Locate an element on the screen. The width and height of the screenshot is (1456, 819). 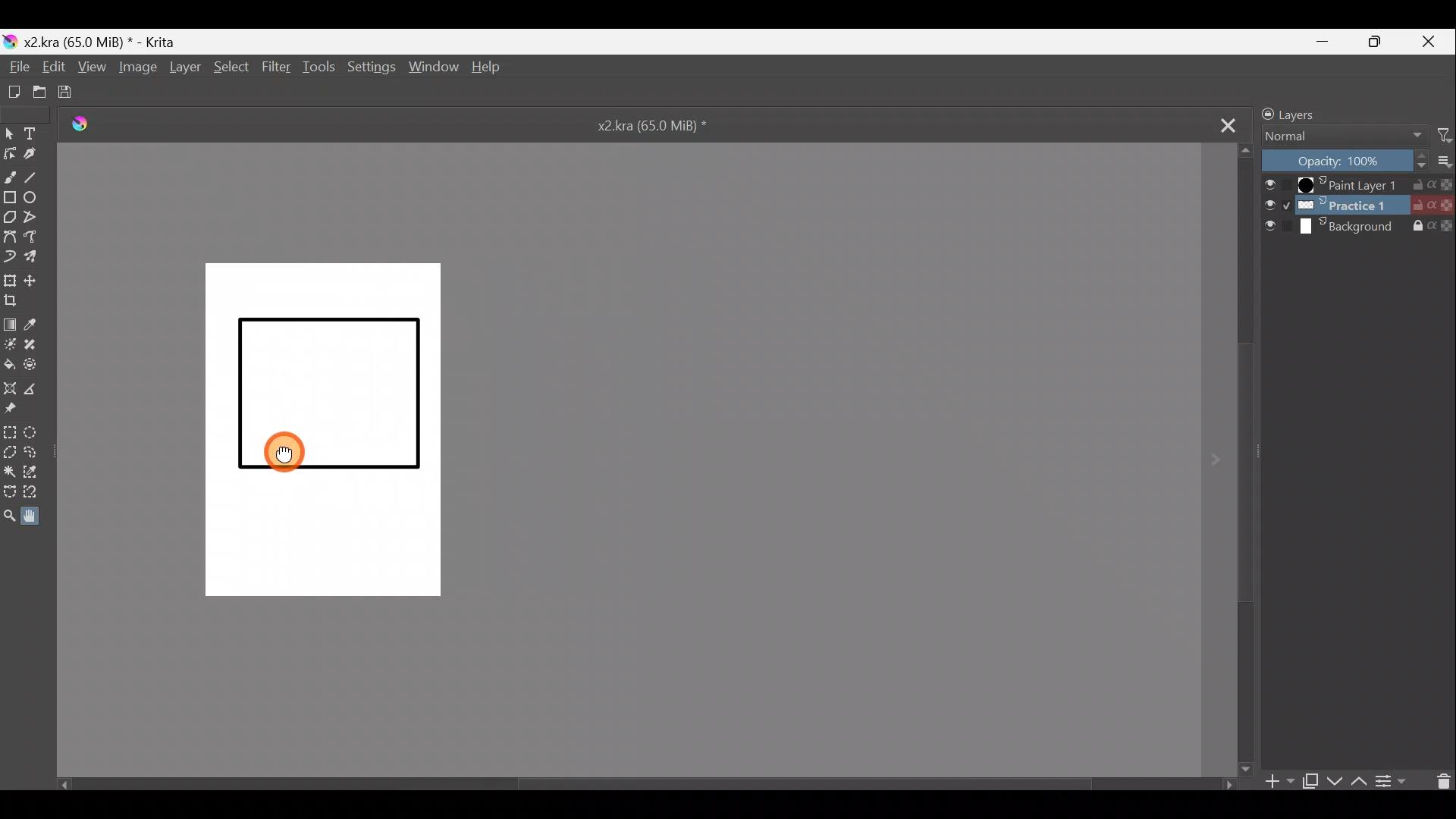
Normal Blending mode is located at coordinates (1337, 136).